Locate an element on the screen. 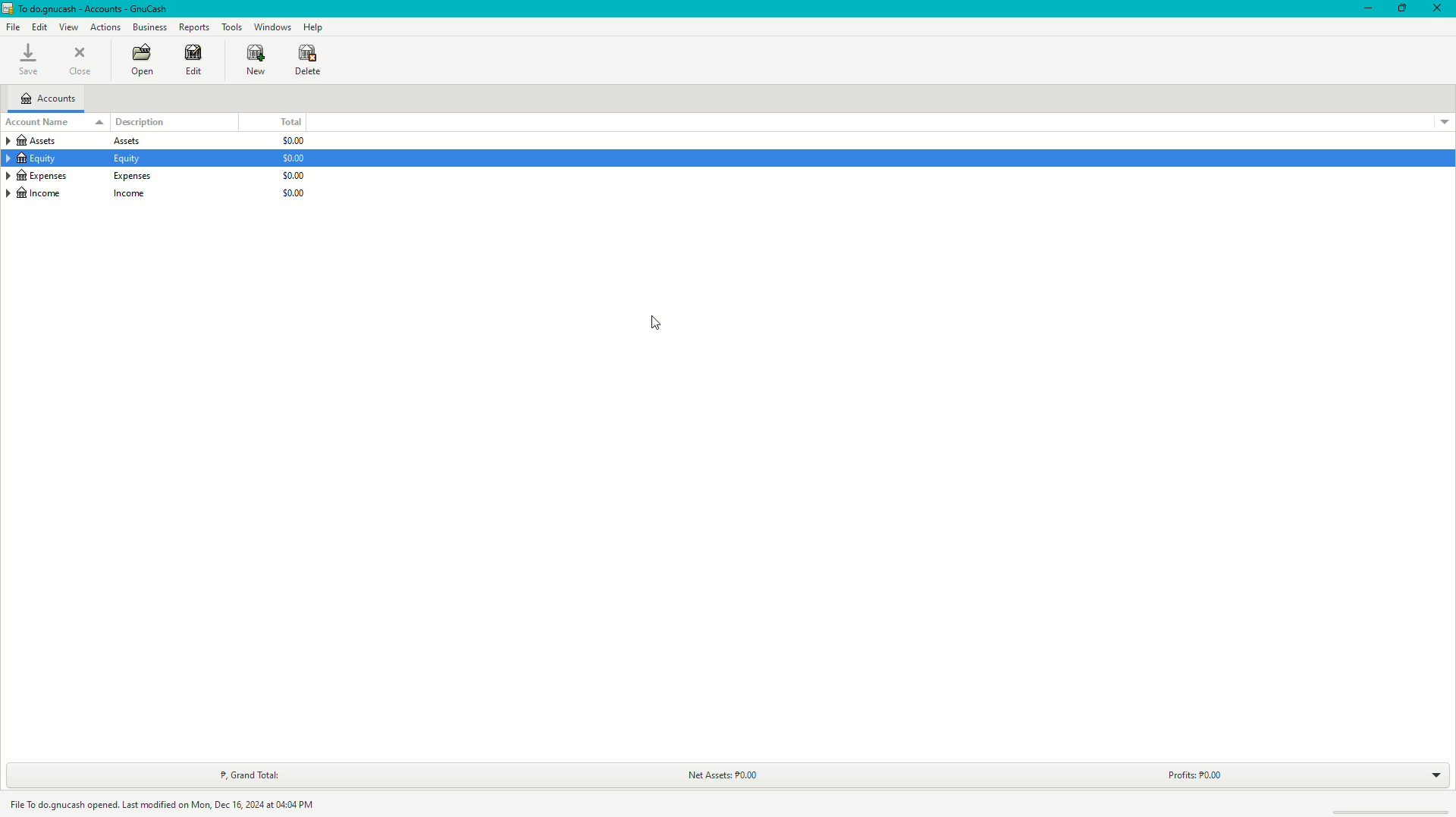  Restore is located at coordinates (1401, 8).